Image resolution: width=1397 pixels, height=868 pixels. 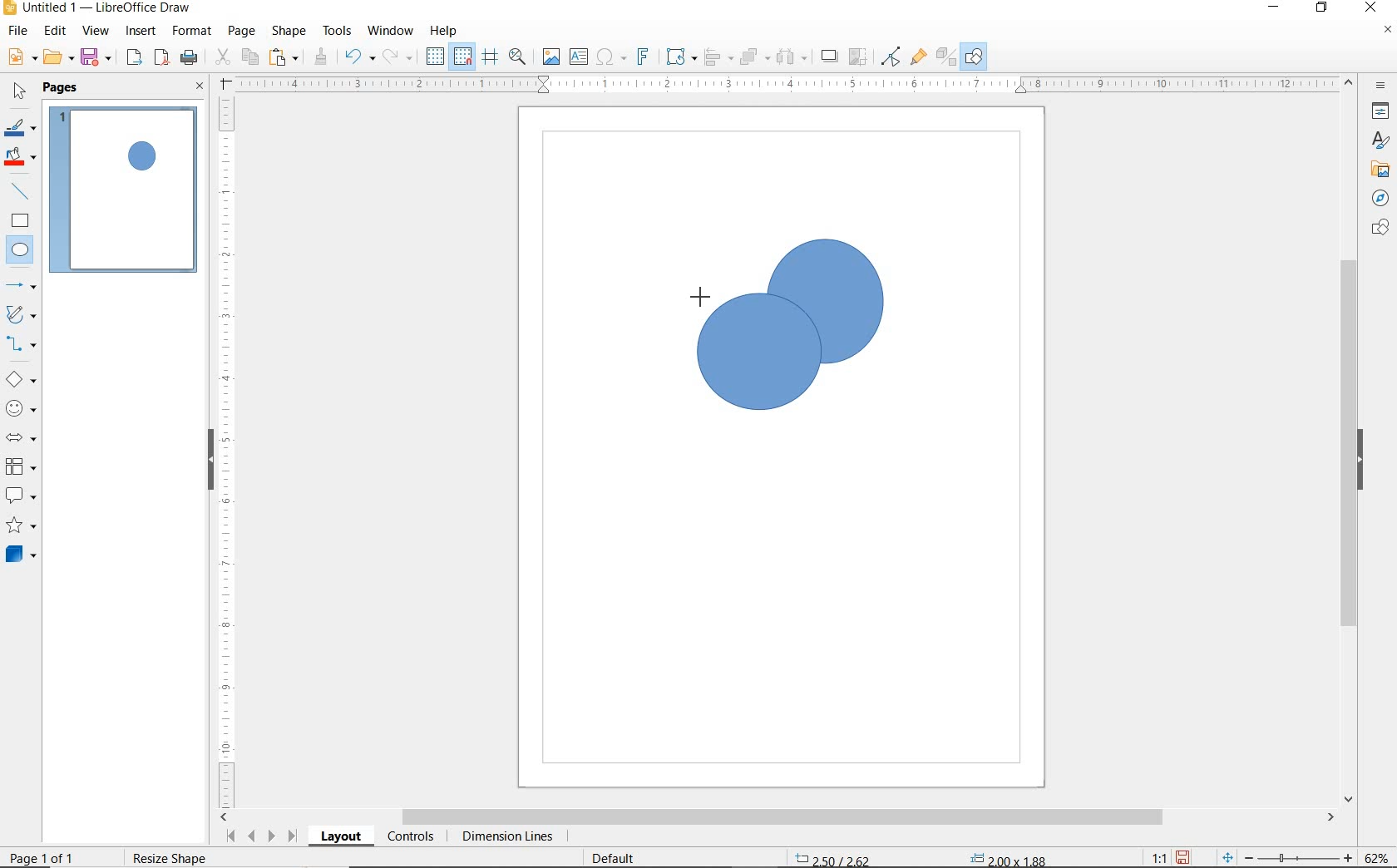 I want to click on STYLES, so click(x=1376, y=143).